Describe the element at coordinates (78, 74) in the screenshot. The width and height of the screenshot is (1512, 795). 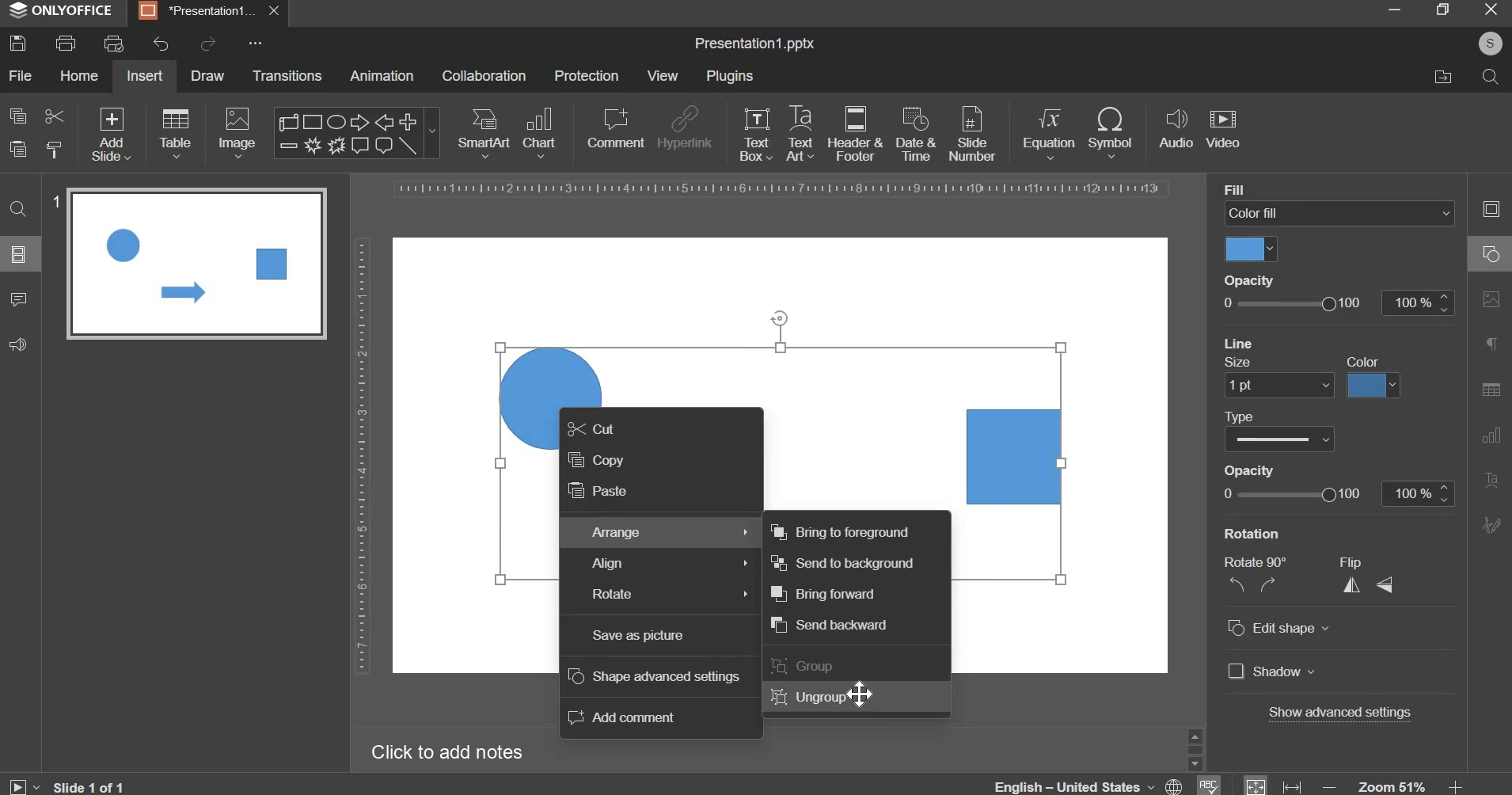
I see `home` at that location.